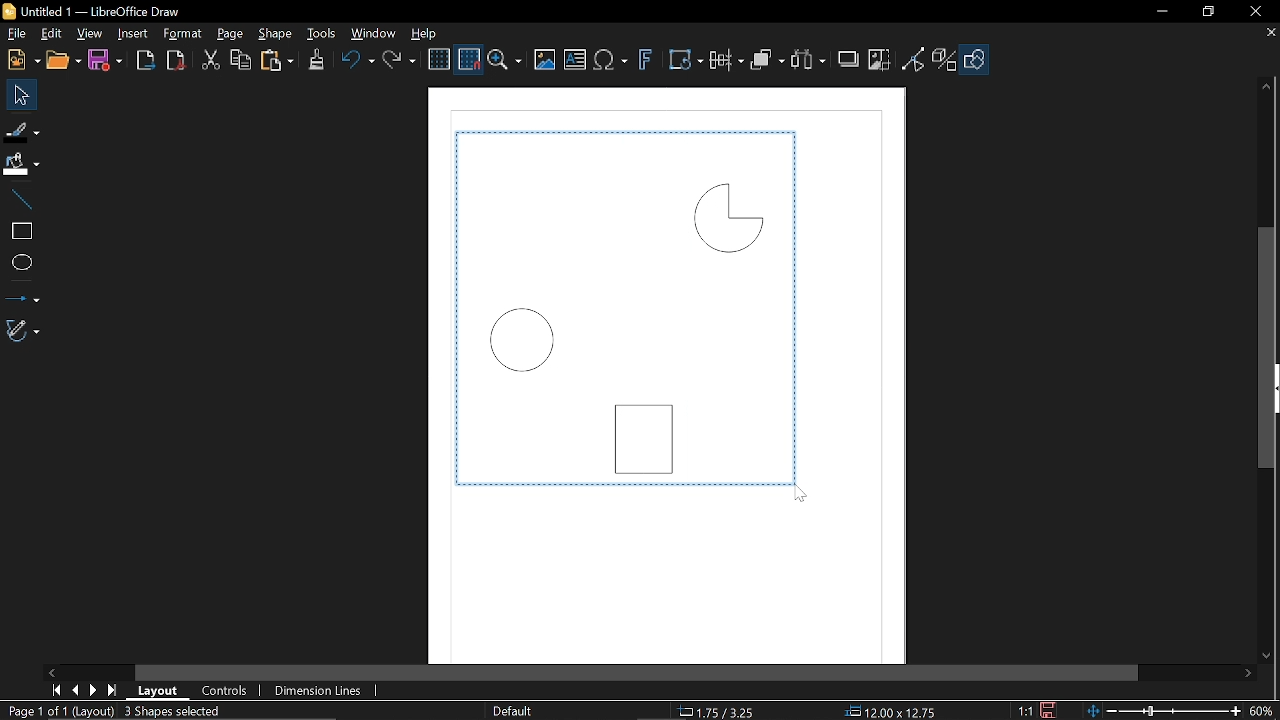  Describe the element at coordinates (114, 690) in the screenshot. I see `last page` at that location.